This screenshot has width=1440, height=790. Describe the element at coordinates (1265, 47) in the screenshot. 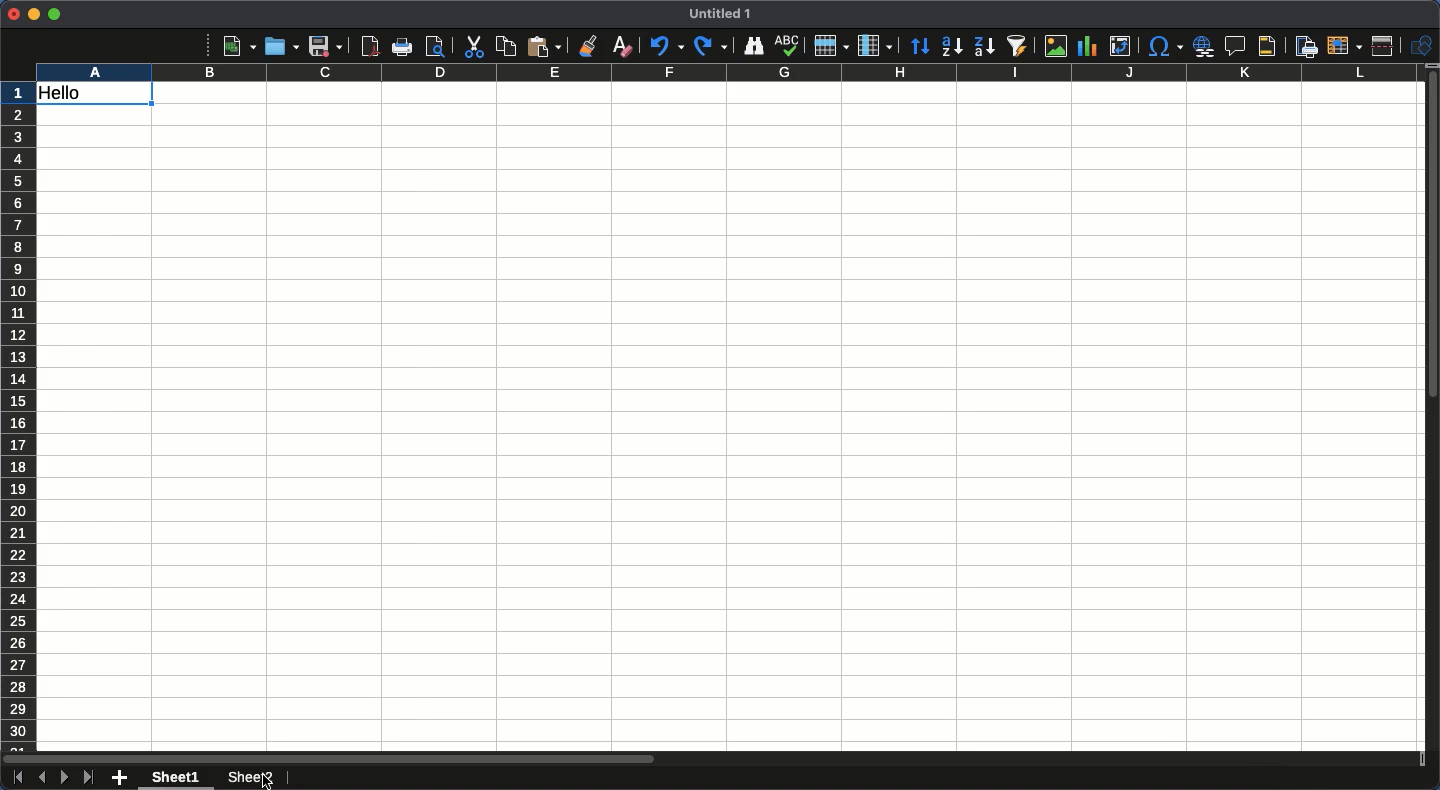

I see `Headers and footers` at that location.